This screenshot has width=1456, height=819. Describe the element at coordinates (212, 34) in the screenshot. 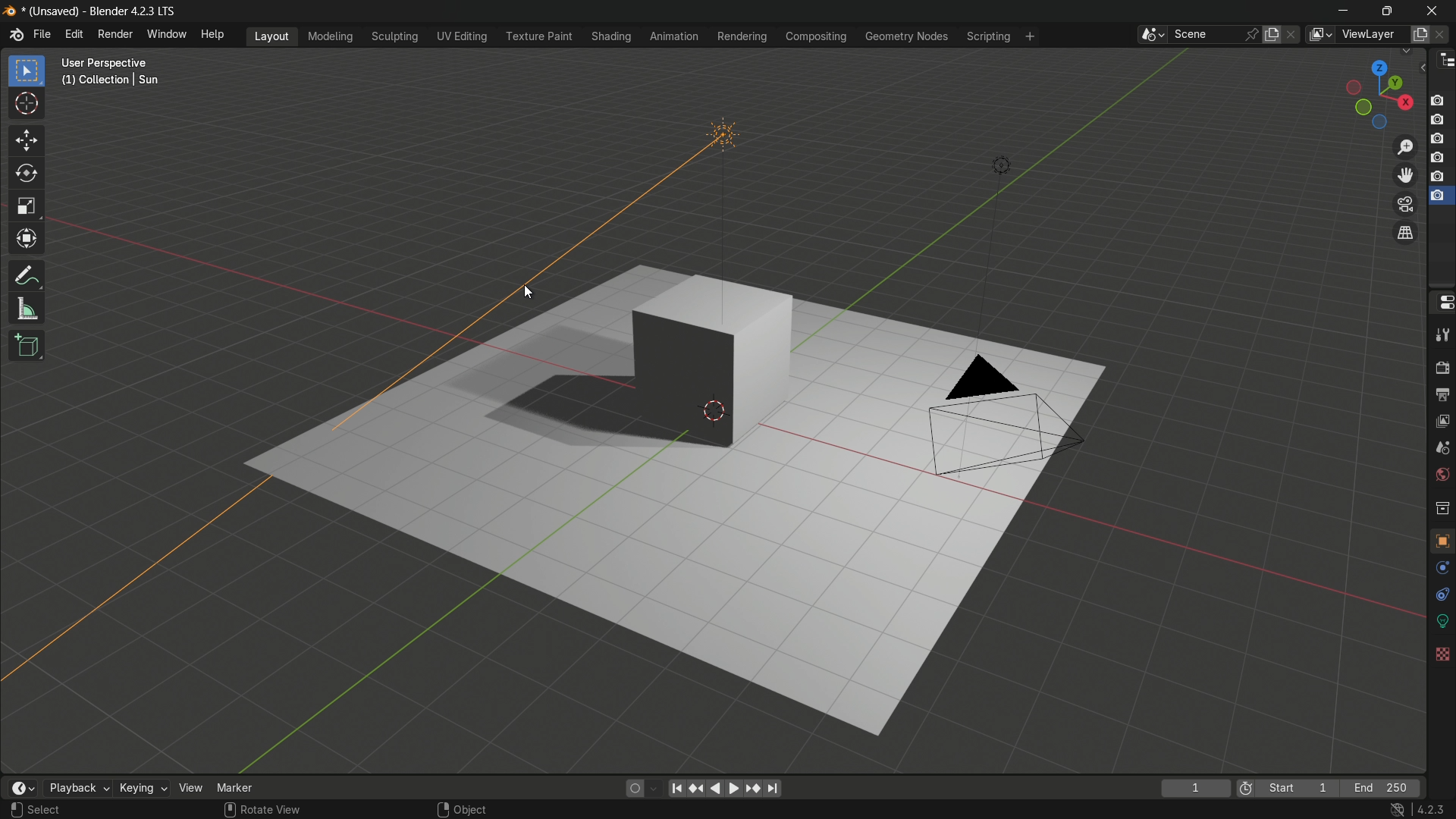

I see `help menu` at that location.